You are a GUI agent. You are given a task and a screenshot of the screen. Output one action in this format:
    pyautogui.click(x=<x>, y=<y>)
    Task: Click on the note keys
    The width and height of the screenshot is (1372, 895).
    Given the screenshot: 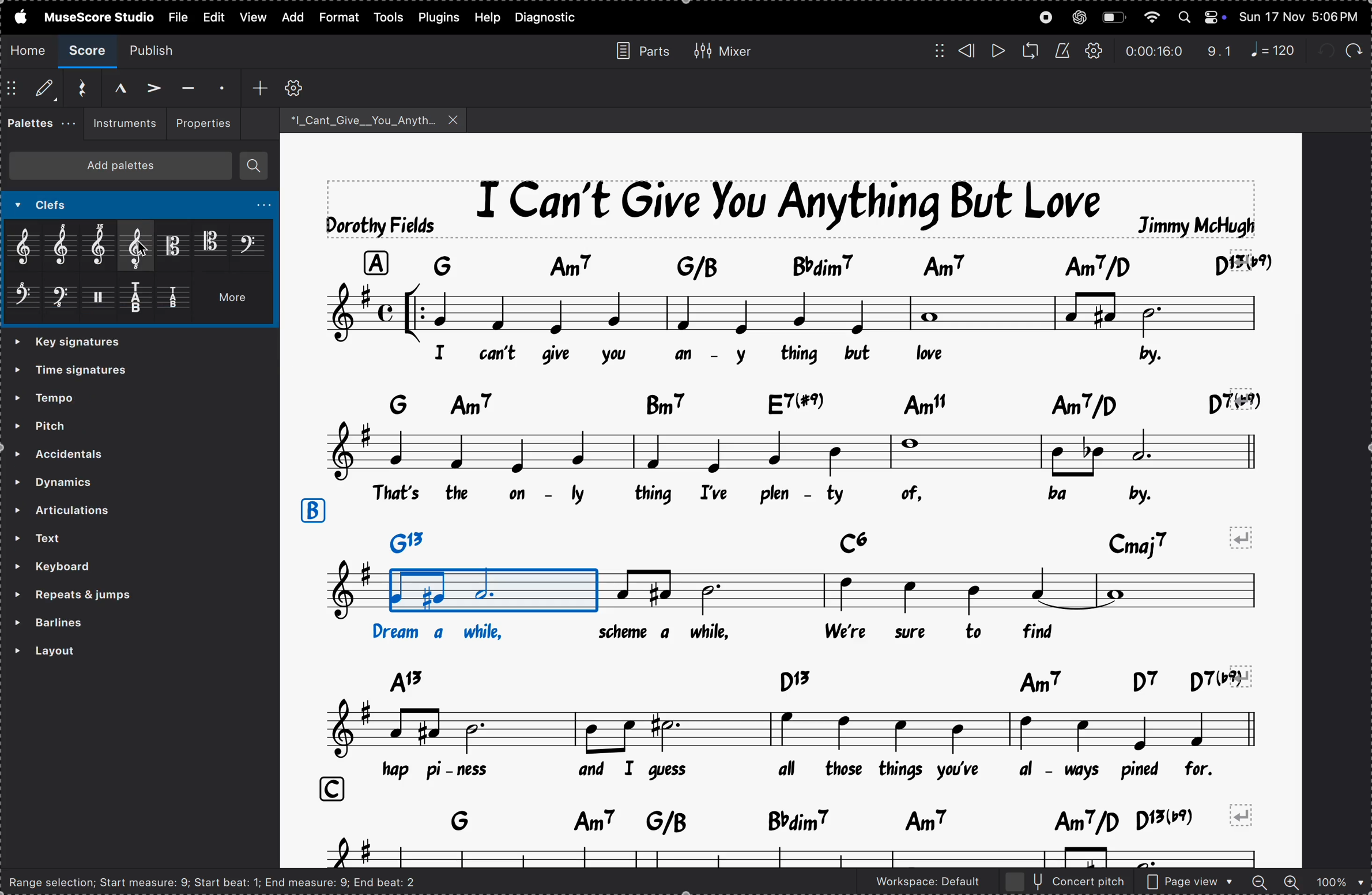 What is the action you would take?
    pyautogui.click(x=805, y=264)
    